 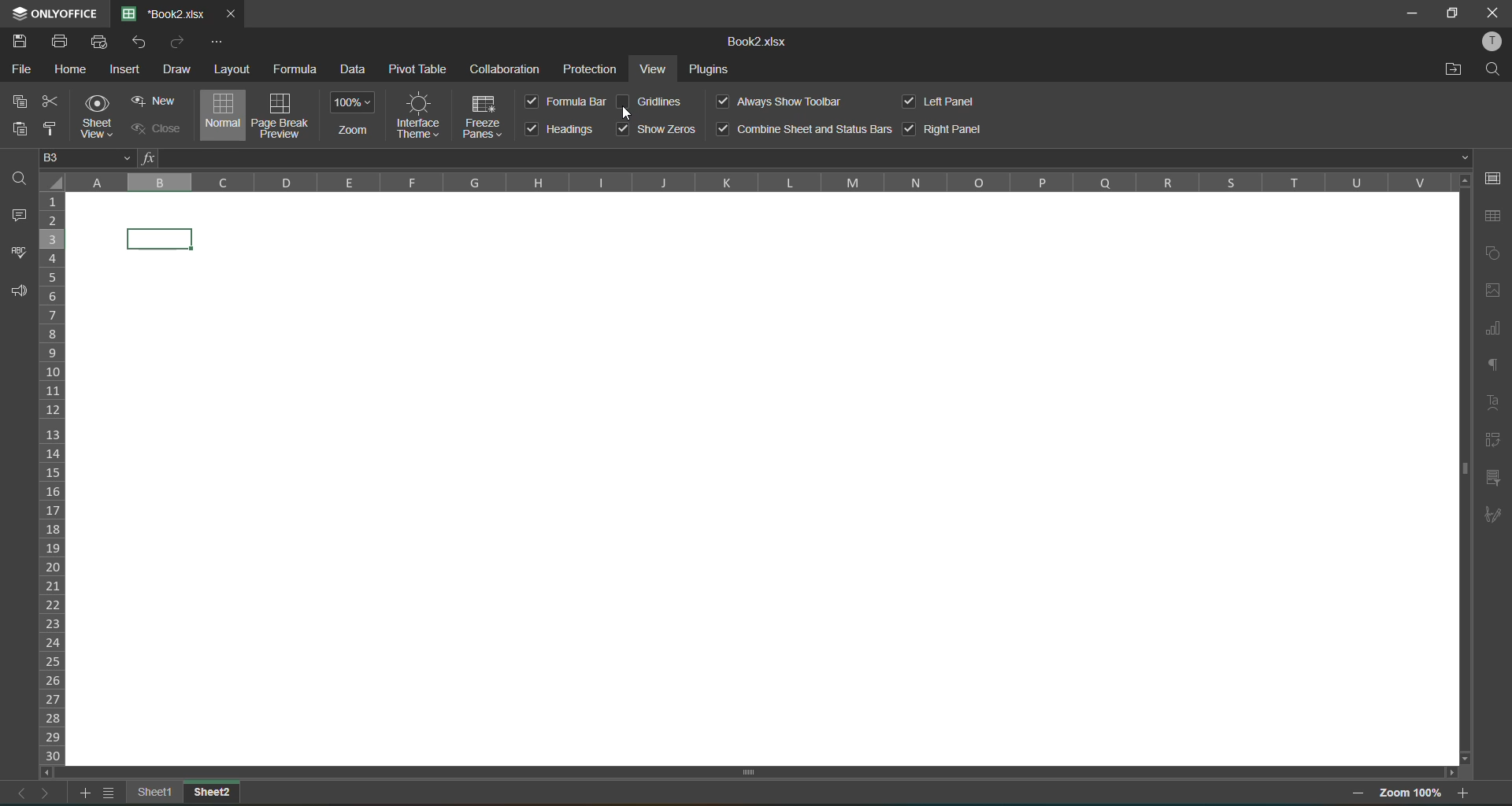 What do you see at coordinates (1464, 467) in the screenshot?
I see `scrollbar` at bounding box center [1464, 467].